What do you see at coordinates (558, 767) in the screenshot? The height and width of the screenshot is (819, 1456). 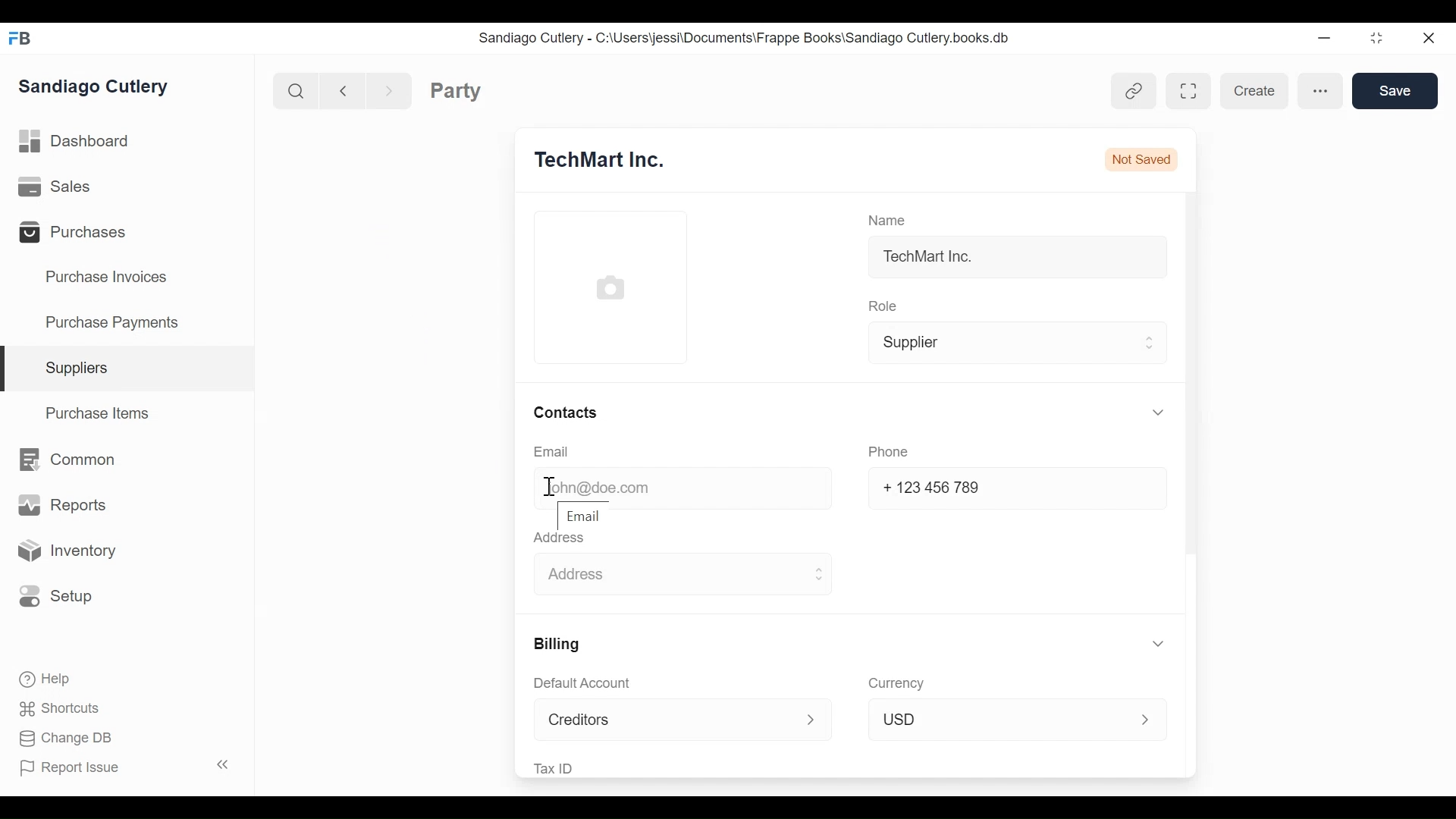 I see `Tax ID` at bounding box center [558, 767].